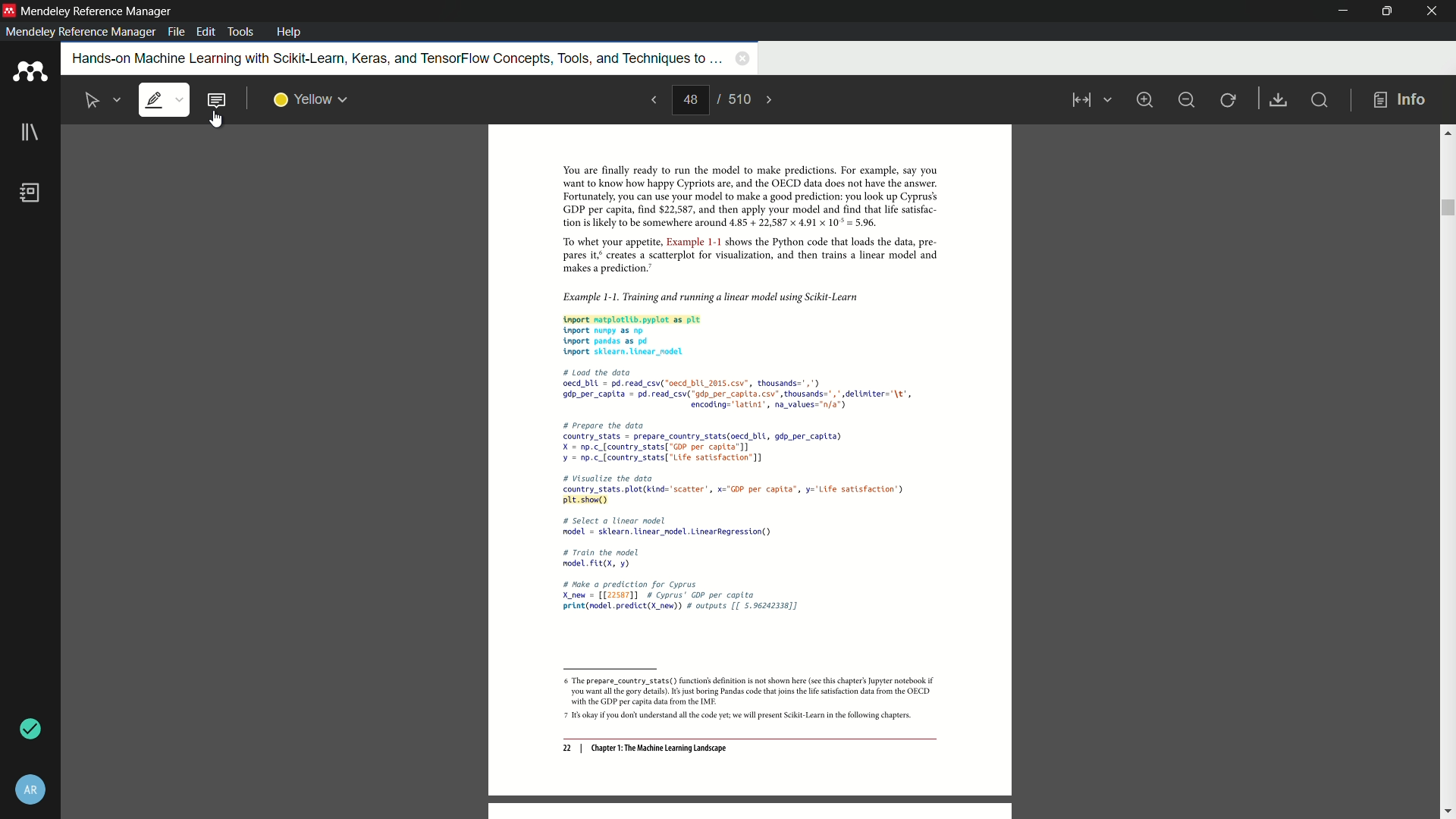  What do you see at coordinates (80, 32) in the screenshot?
I see `mendeley reference manager` at bounding box center [80, 32].